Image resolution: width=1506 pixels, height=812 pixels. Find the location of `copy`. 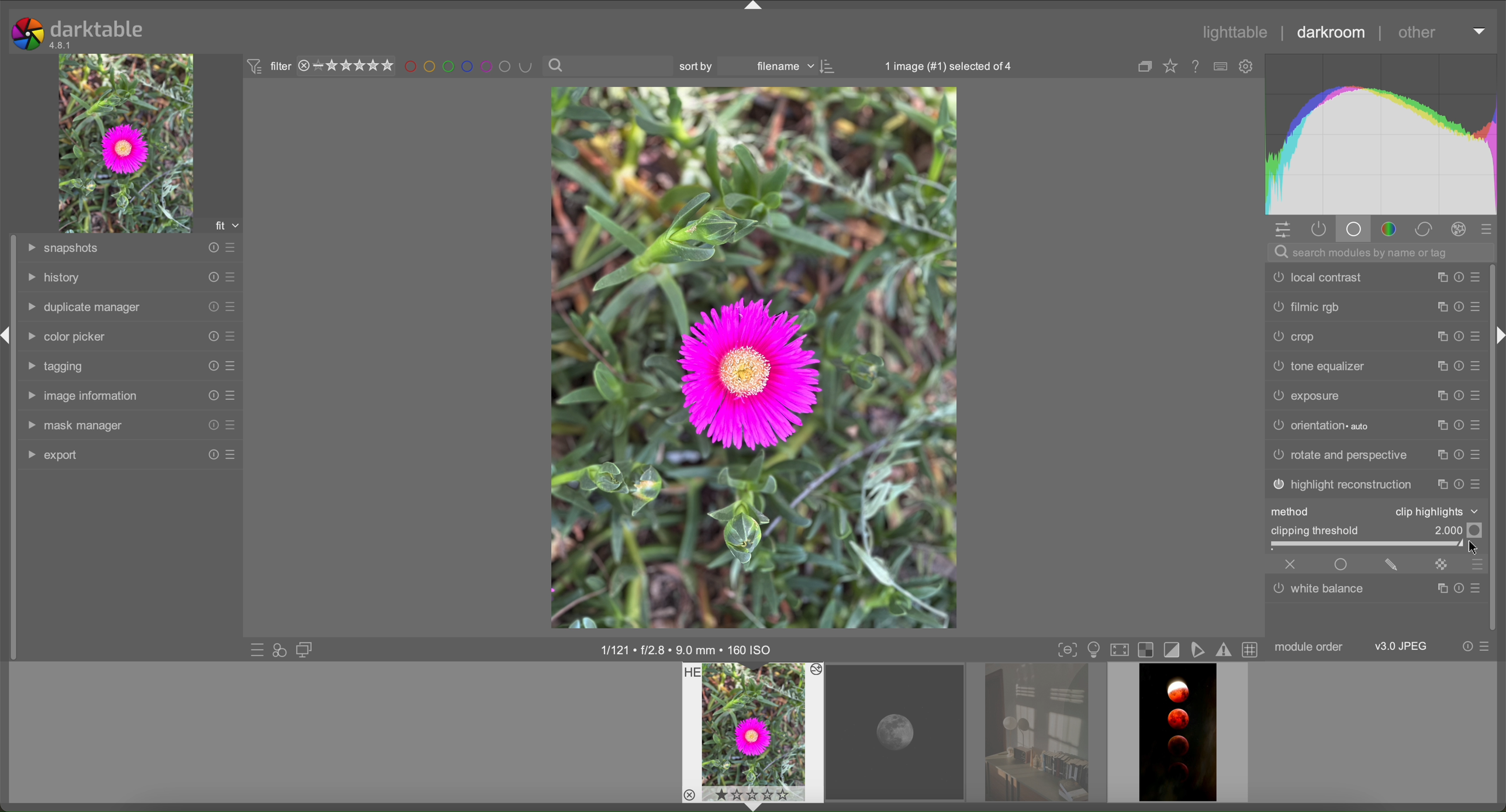

copy is located at coordinates (1441, 457).